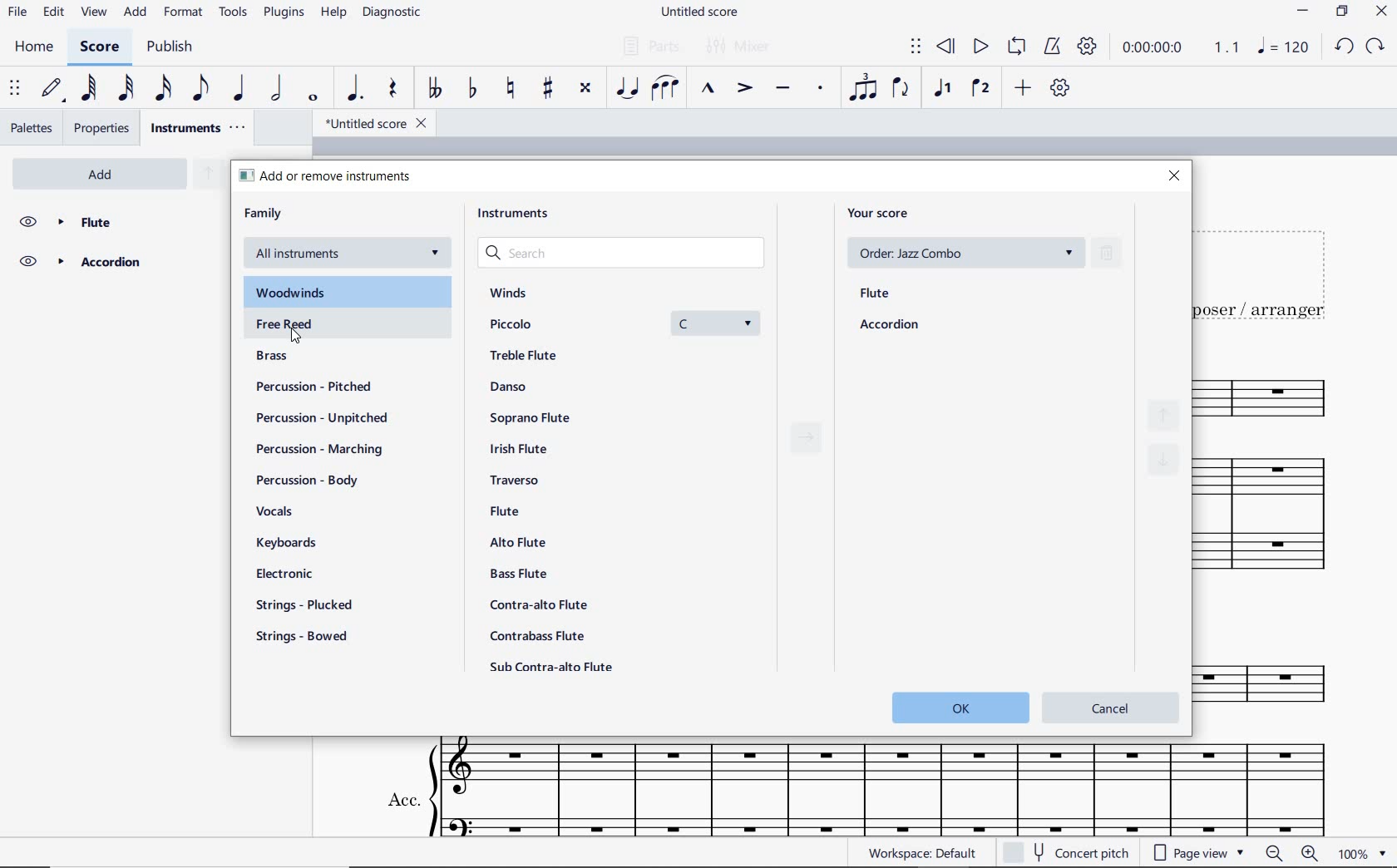 Image resolution: width=1397 pixels, height=868 pixels. What do you see at coordinates (552, 667) in the screenshot?
I see `sub contra-alto Flute` at bounding box center [552, 667].